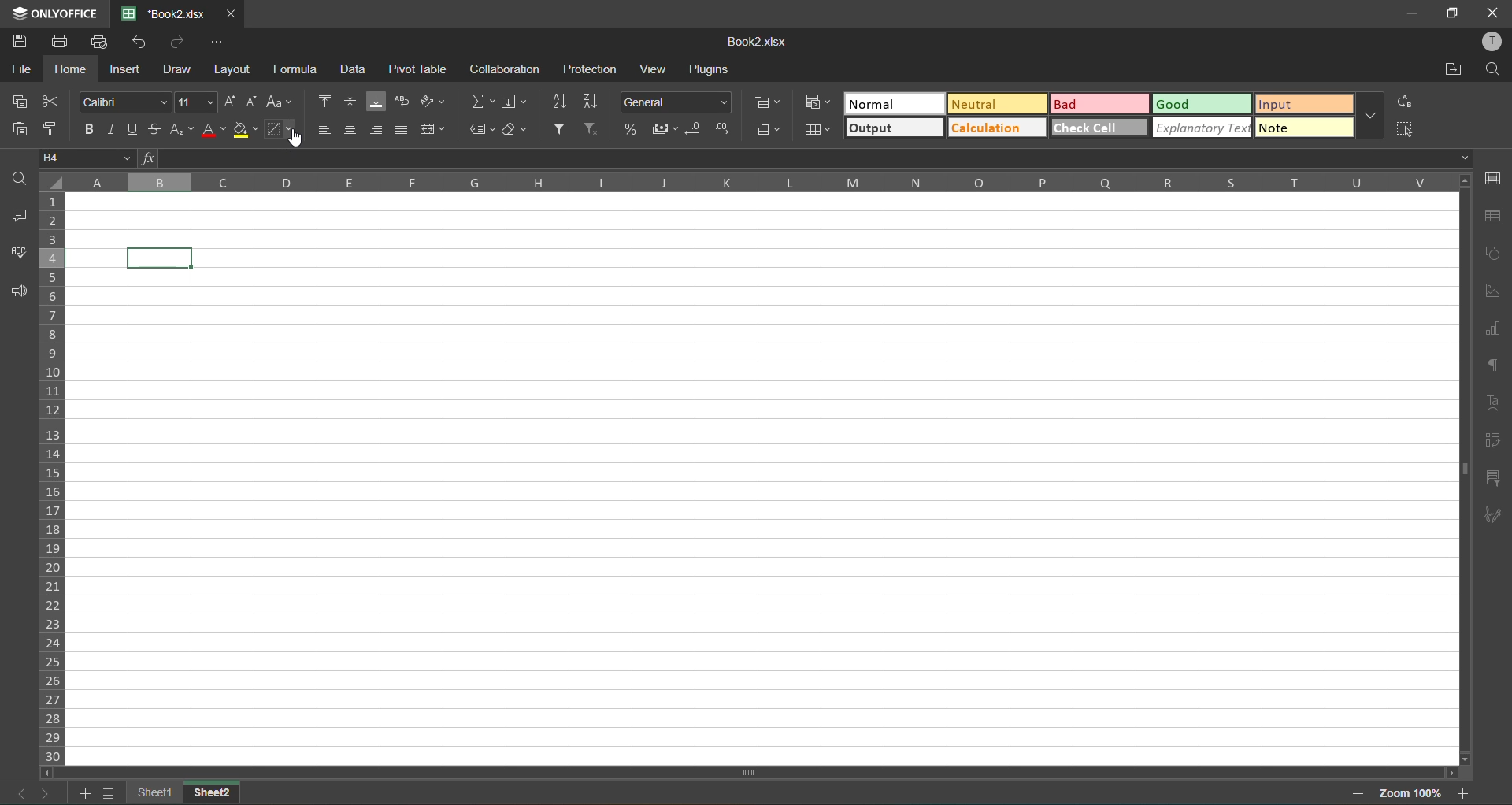 This screenshot has height=805, width=1512. Describe the element at coordinates (1492, 43) in the screenshot. I see `profile` at that location.